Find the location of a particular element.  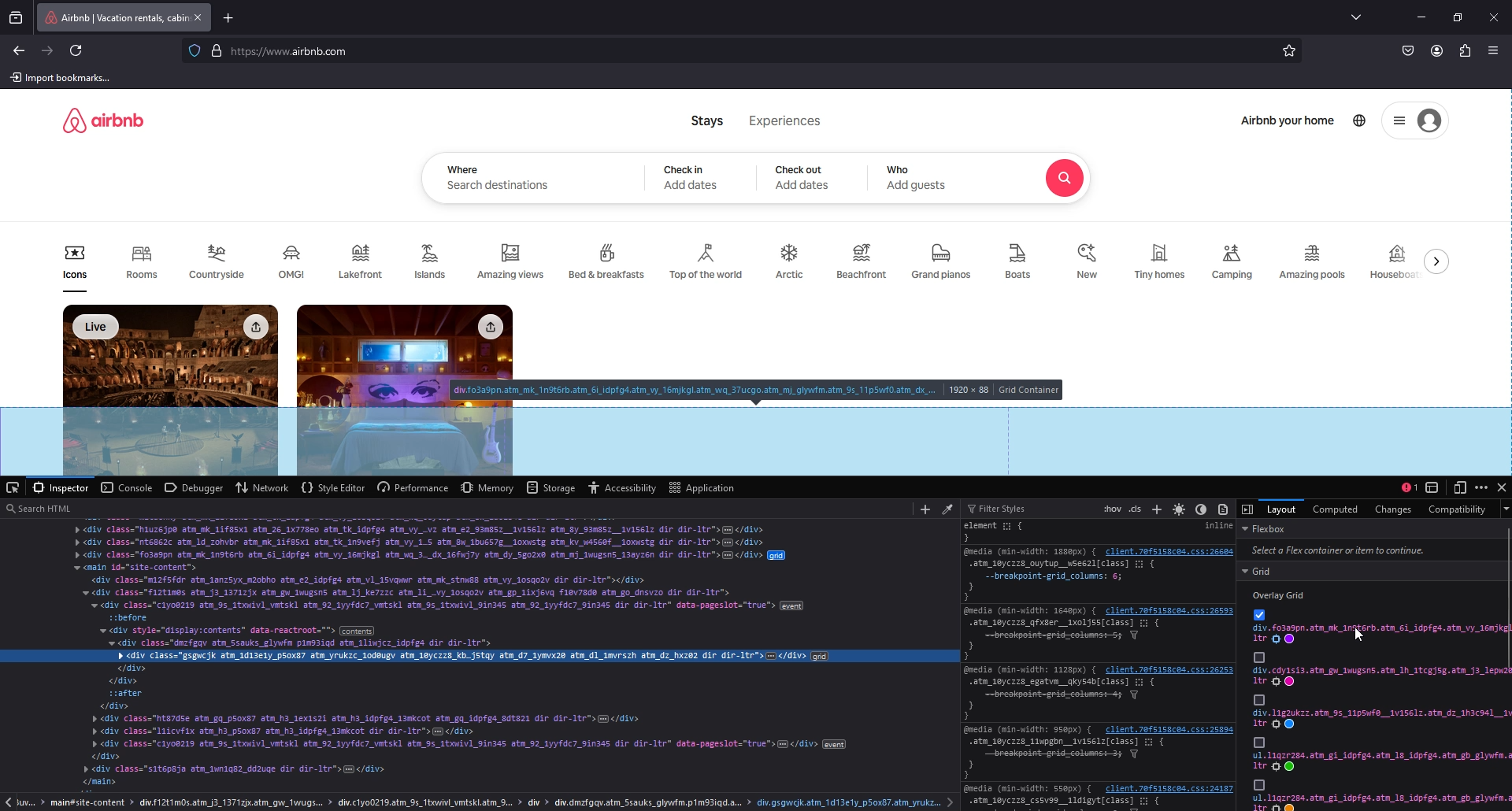

close is located at coordinates (1494, 17).